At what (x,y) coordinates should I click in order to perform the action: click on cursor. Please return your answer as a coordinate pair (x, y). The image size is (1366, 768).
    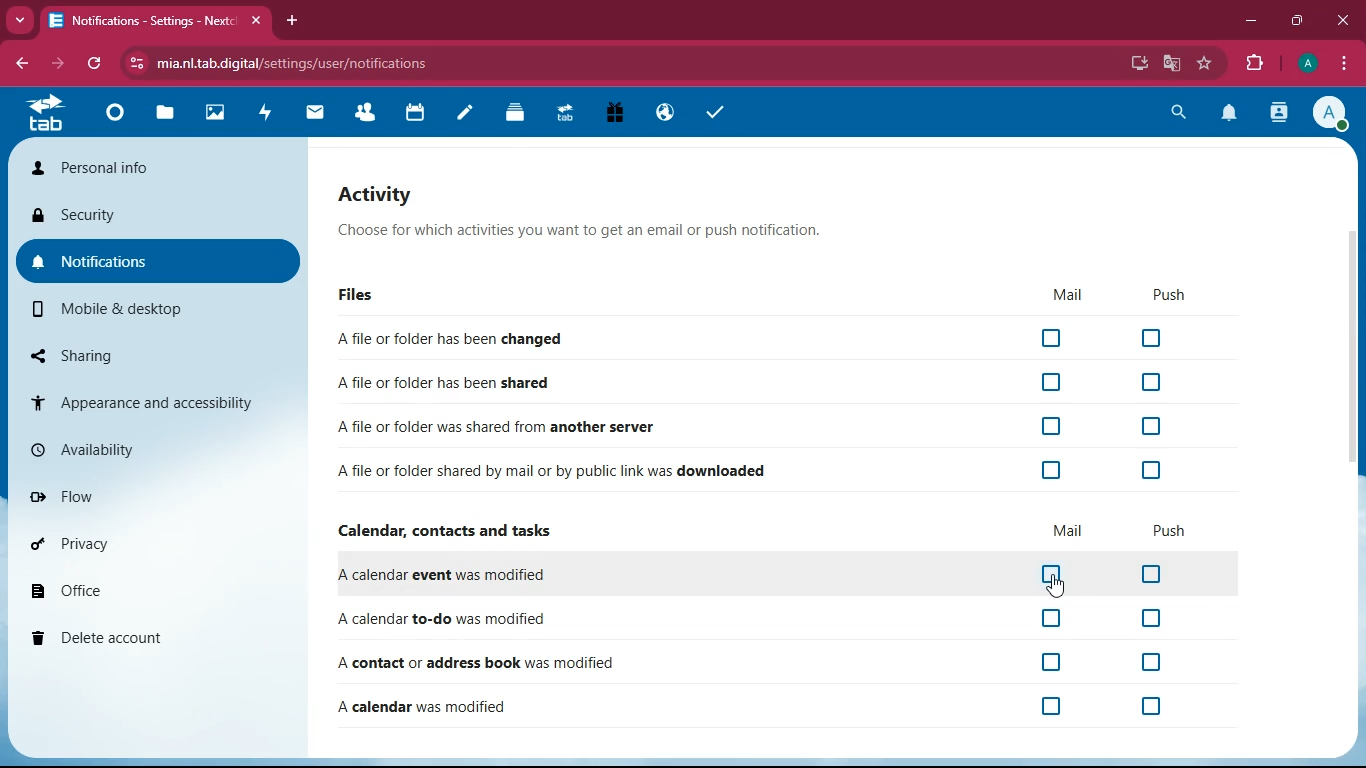
    Looking at the image, I should click on (1054, 586).